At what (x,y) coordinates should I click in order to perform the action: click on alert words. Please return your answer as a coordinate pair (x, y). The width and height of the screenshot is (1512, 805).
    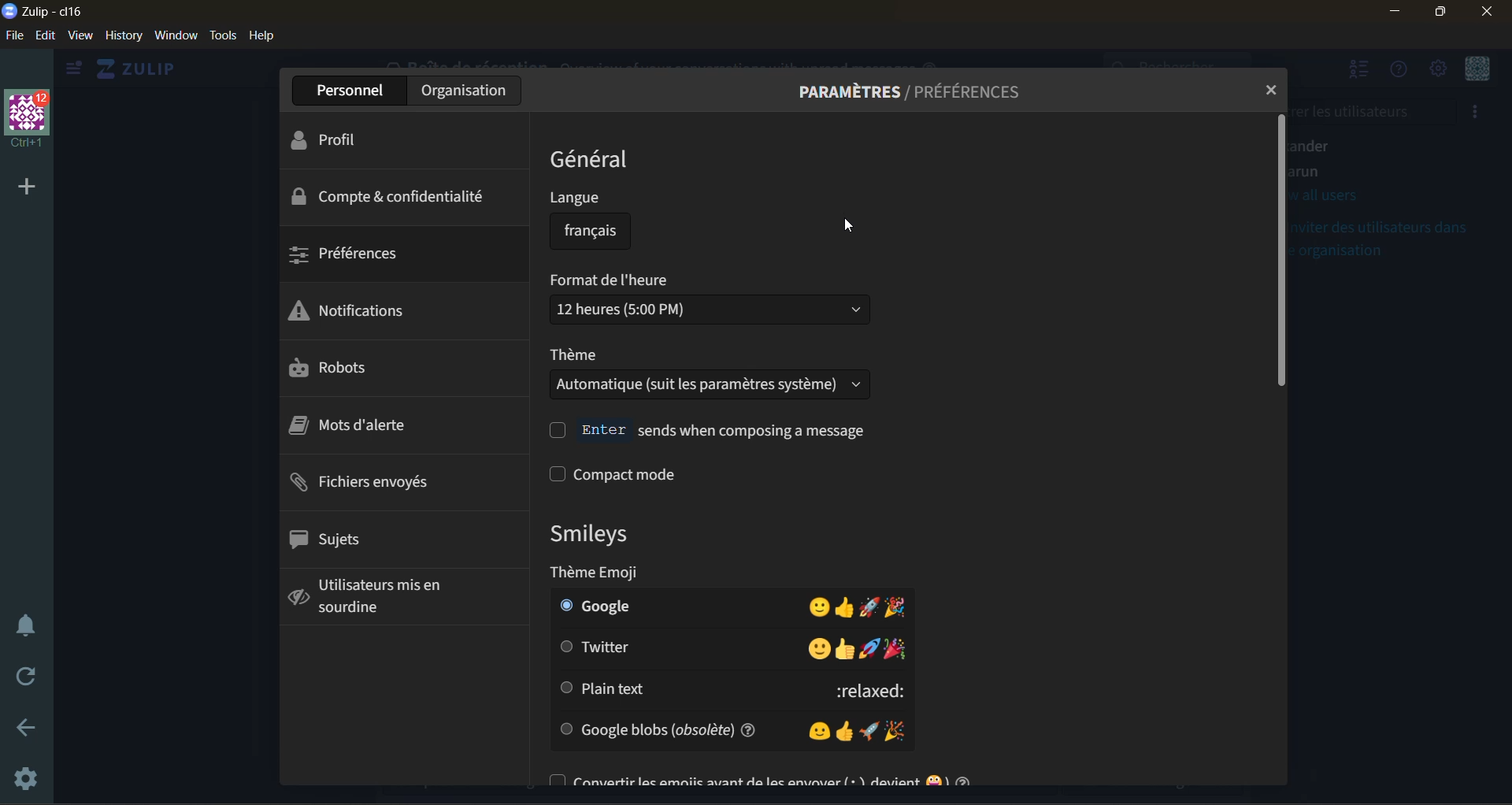
    Looking at the image, I should click on (344, 428).